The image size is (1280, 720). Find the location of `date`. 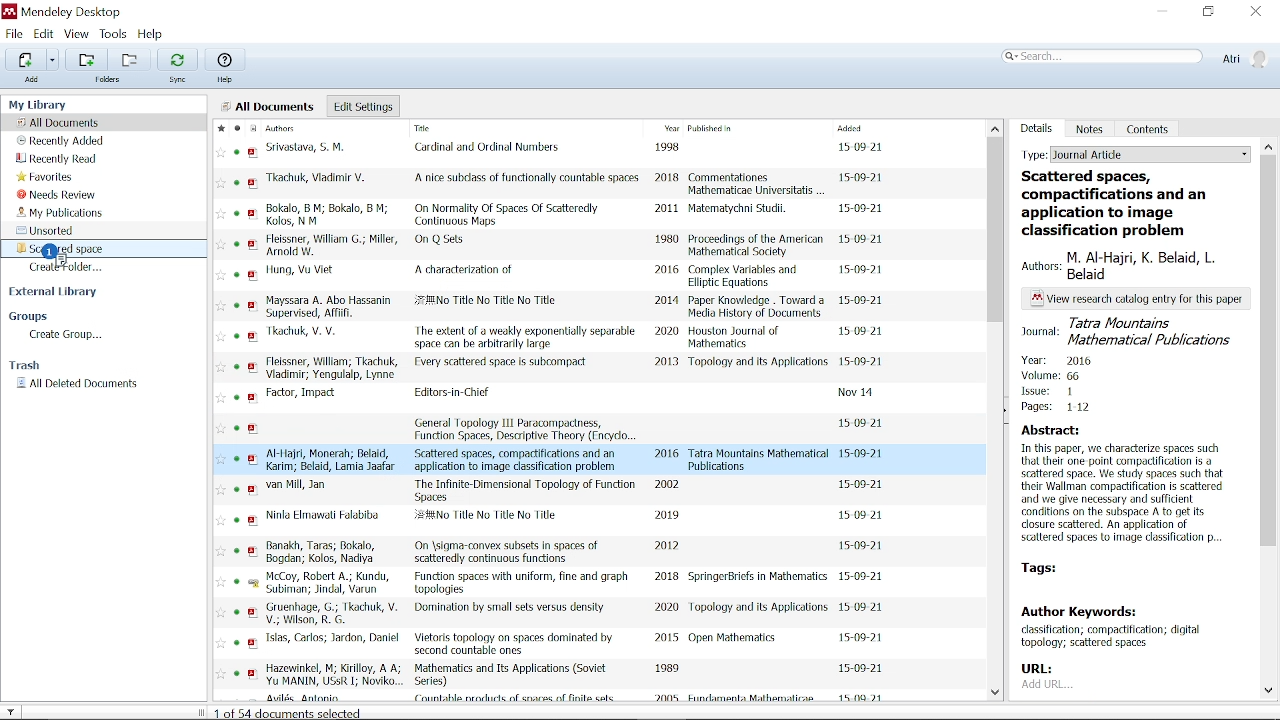

date is located at coordinates (865, 273).